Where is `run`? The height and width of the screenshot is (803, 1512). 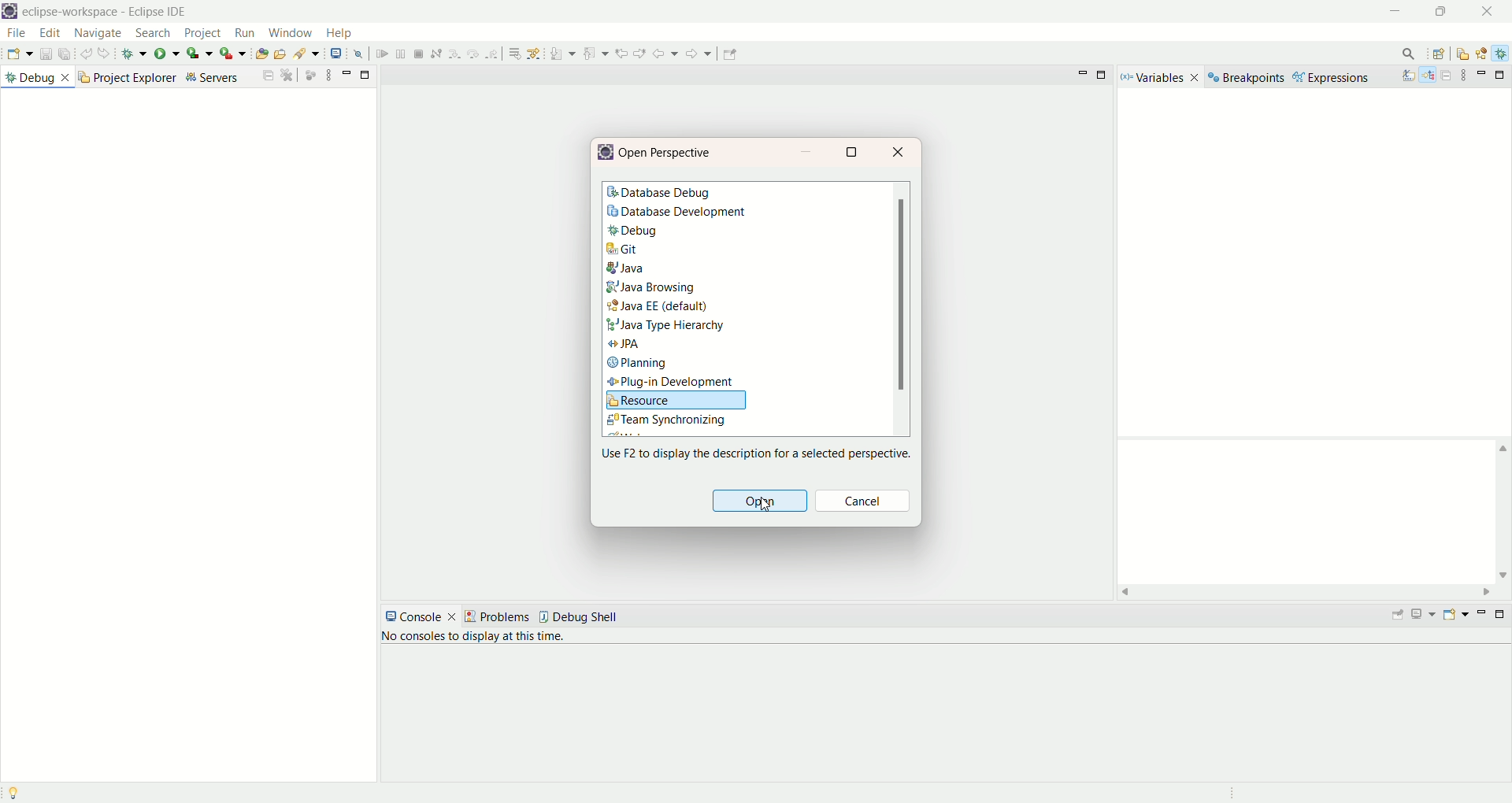 run is located at coordinates (169, 54).